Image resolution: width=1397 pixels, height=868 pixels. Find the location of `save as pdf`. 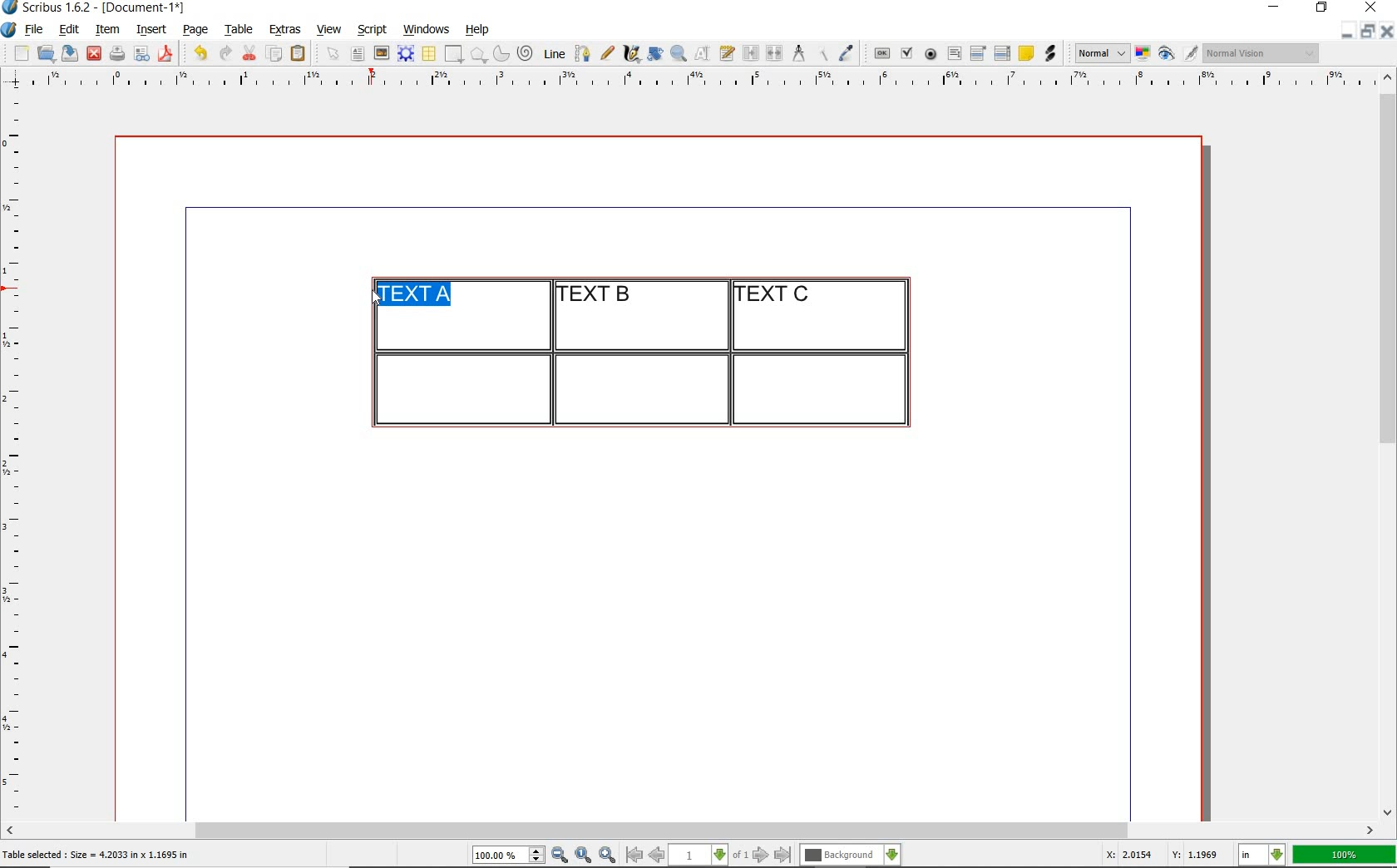

save as pdf is located at coordinates (168, 53).